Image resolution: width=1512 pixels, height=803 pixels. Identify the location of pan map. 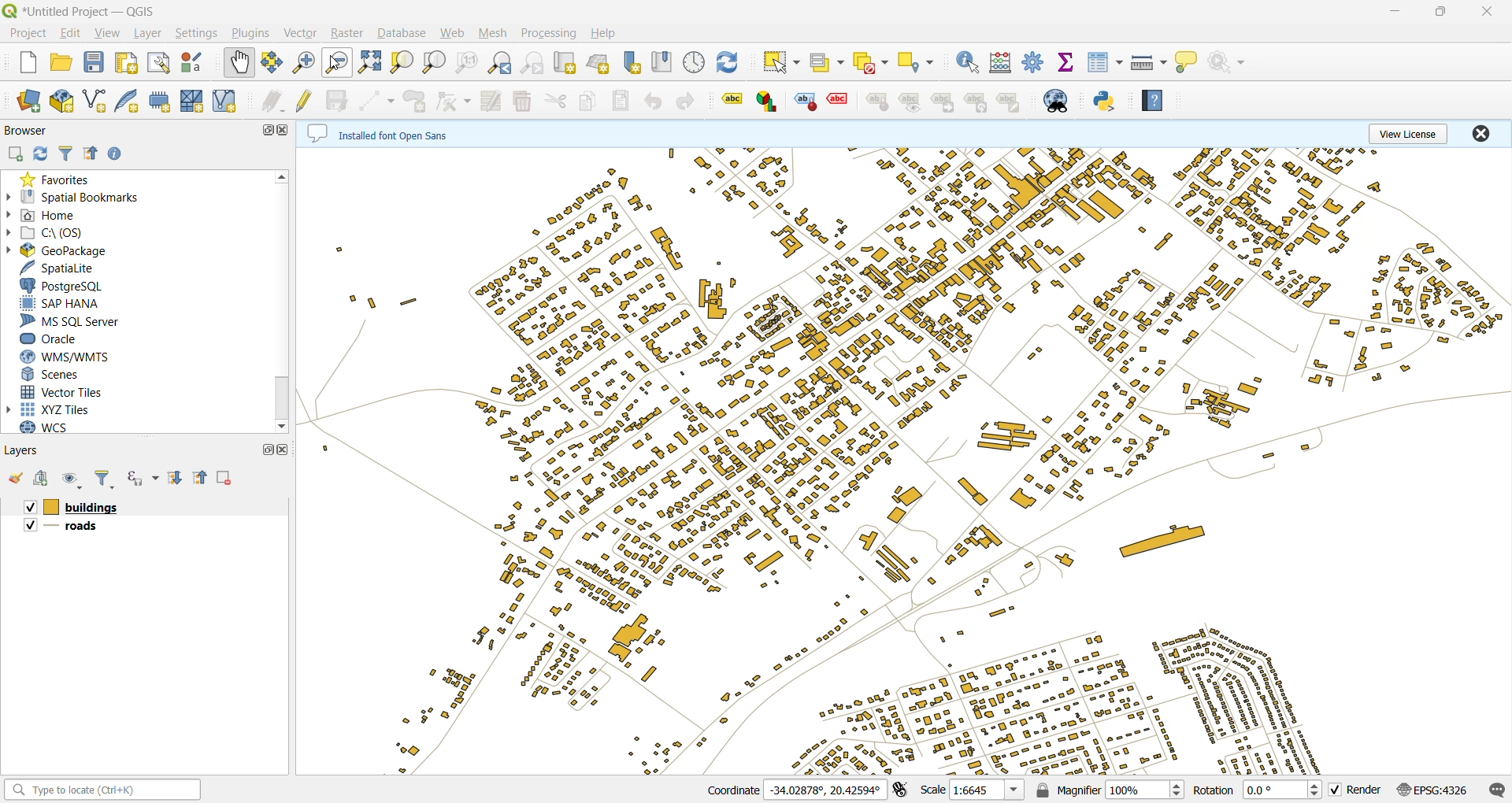
(239, 63).